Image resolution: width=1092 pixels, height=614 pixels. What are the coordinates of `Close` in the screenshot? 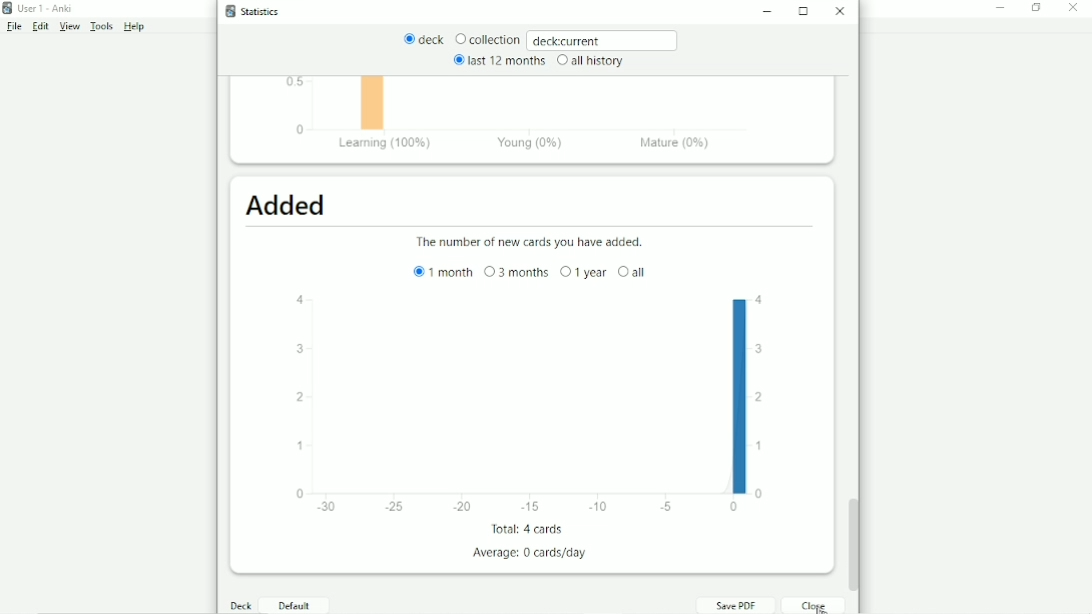 It's located at (1076, 8).